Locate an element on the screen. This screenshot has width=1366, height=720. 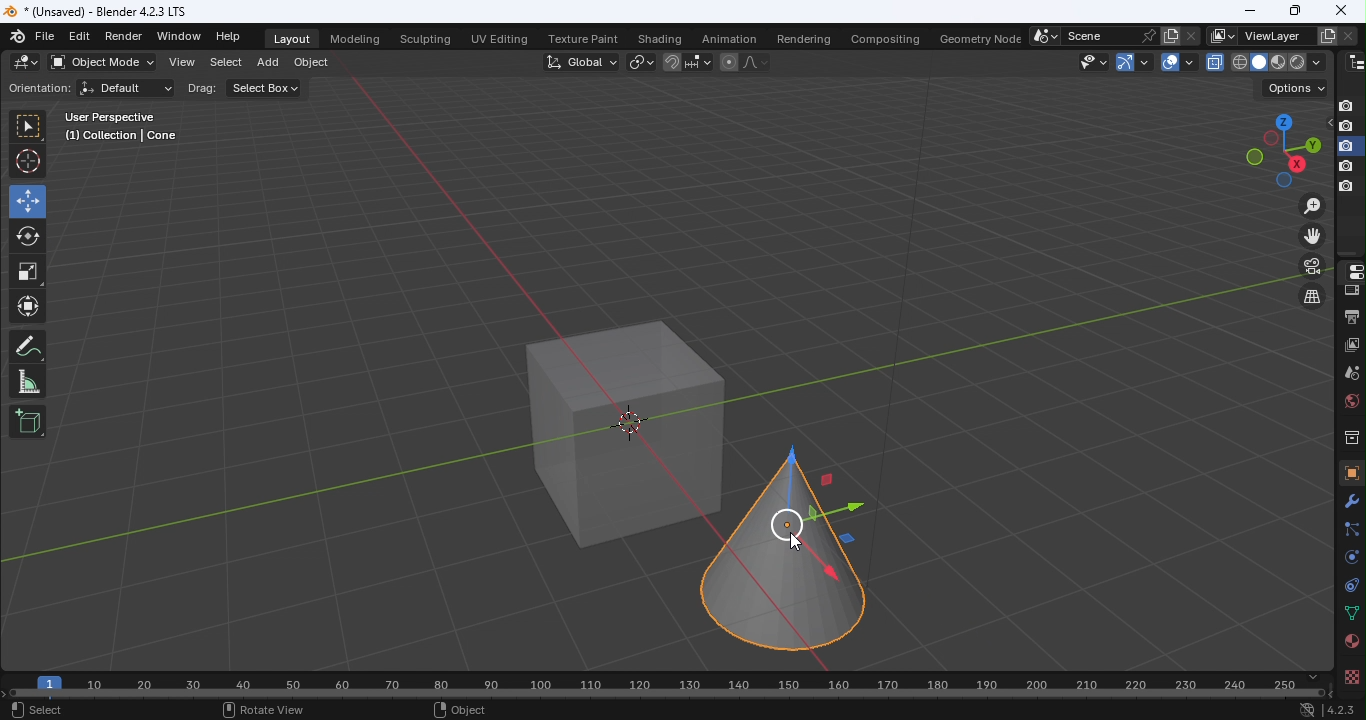
Drag is located at coordinates (201, 88).